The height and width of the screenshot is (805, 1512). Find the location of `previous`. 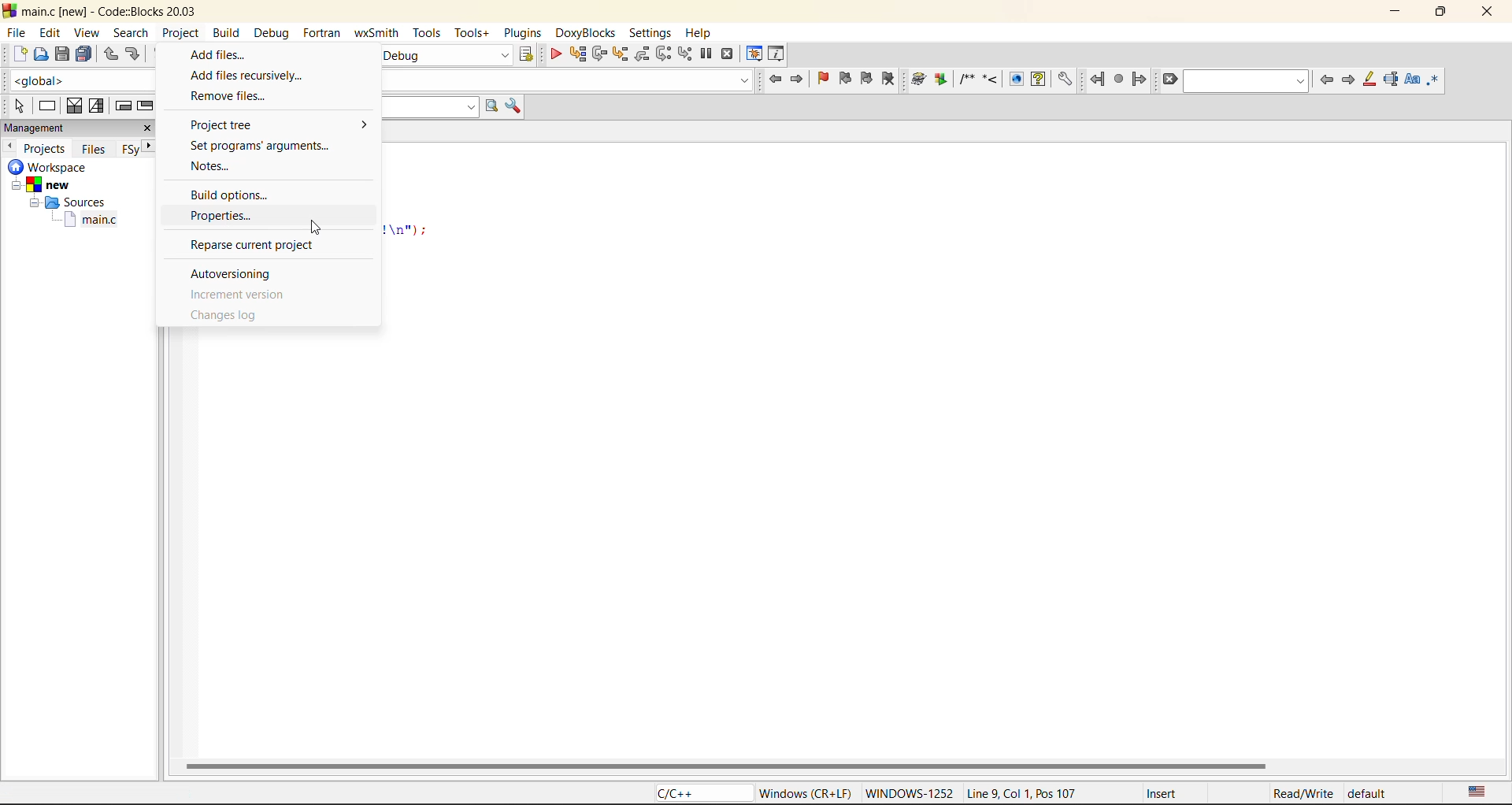

previous is located at coordinates (1326, 81).